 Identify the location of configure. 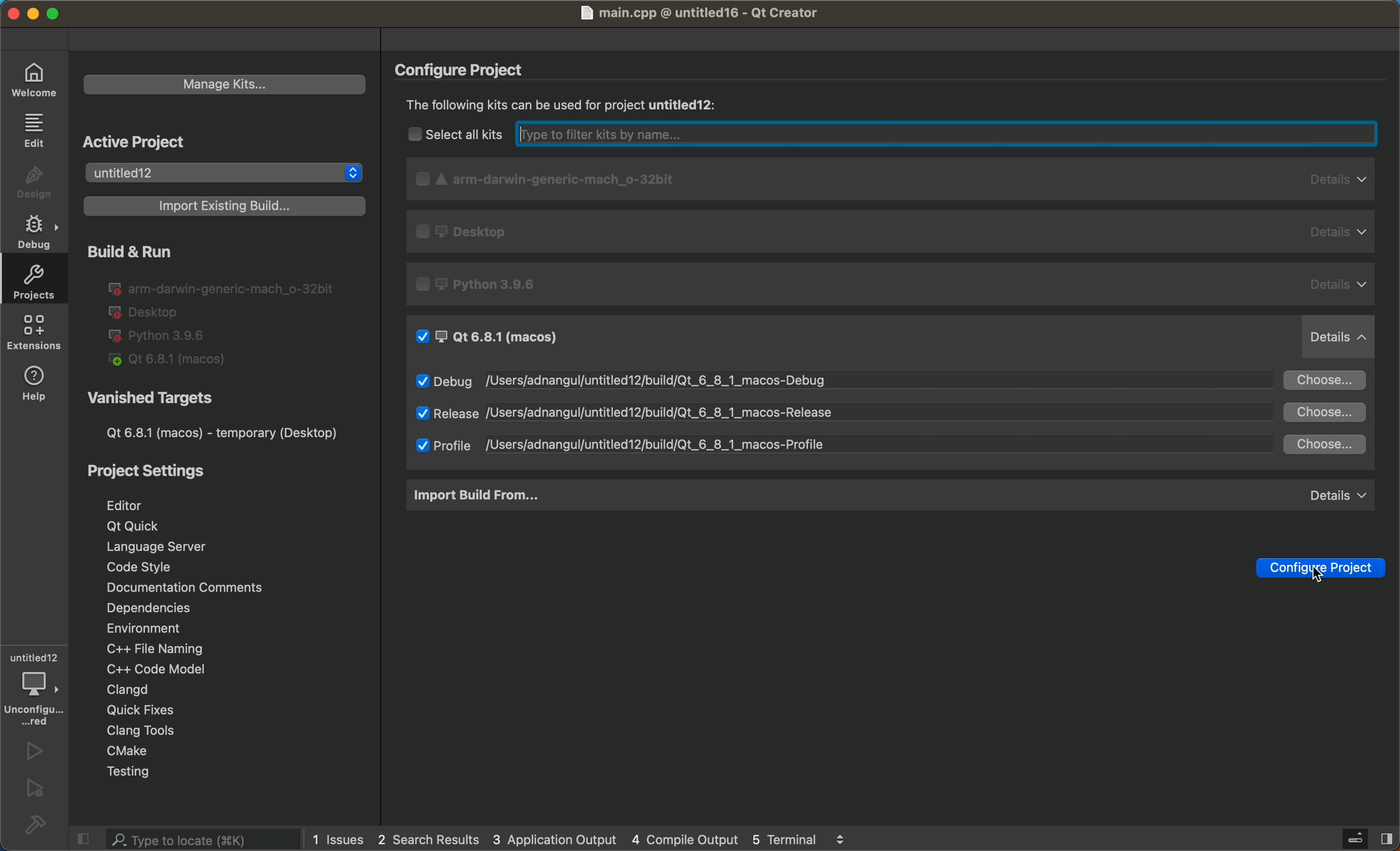
(472, 69).